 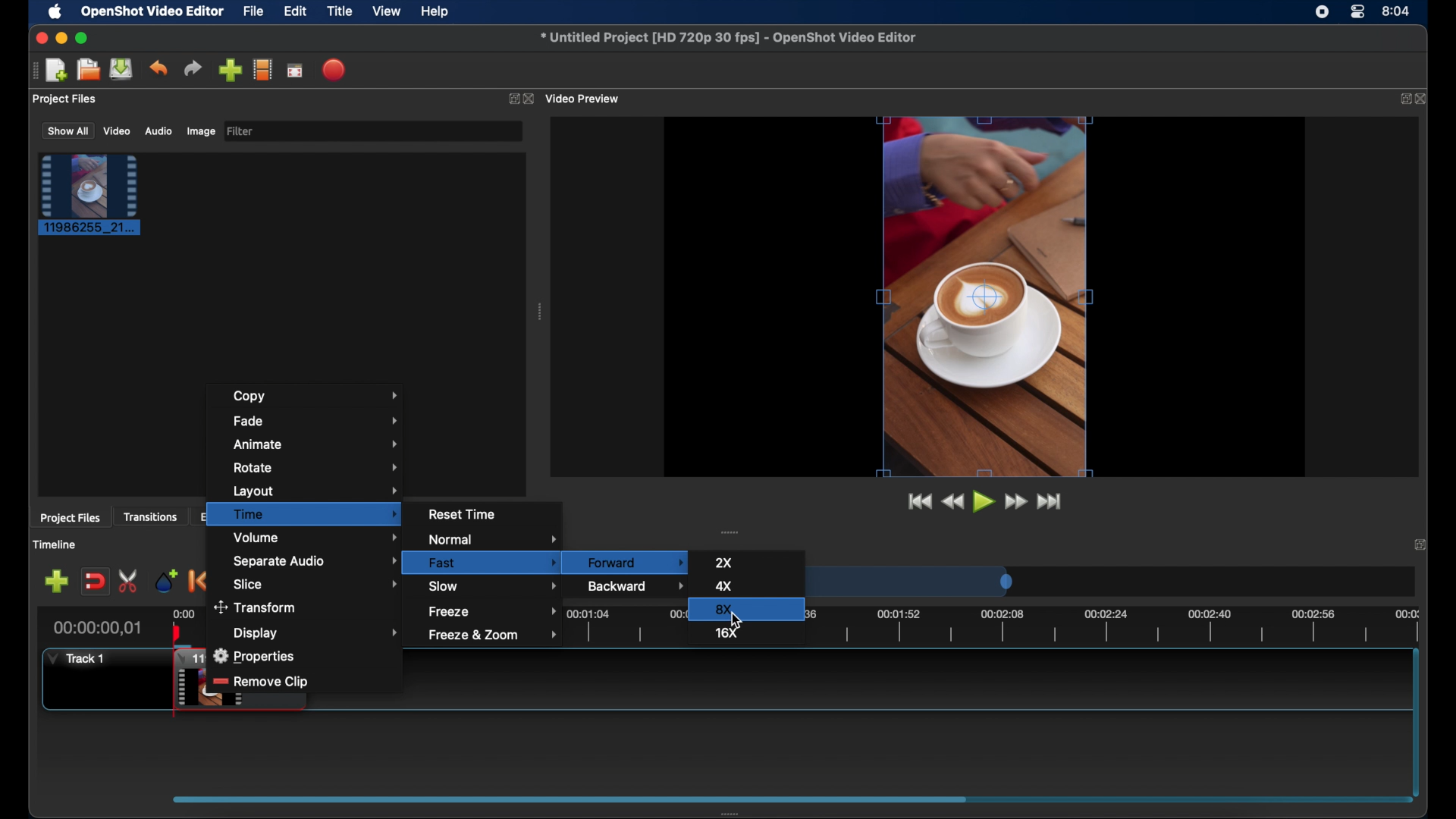 What do you see at coordinates (184, 612) in the screenshot?
I see `0.00` at bounding box center [184, 612].